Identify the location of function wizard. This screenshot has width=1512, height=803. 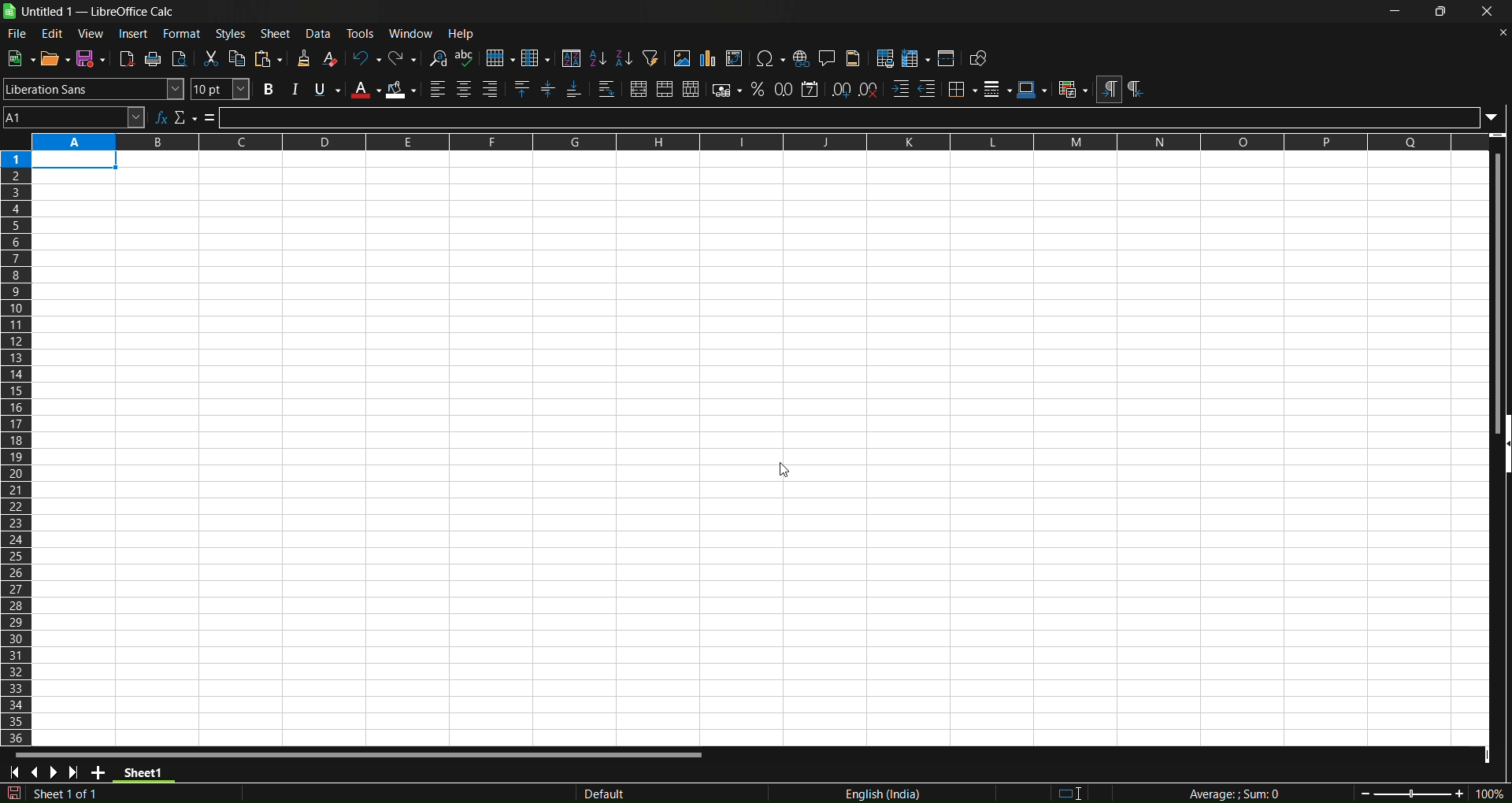
(161, 117).